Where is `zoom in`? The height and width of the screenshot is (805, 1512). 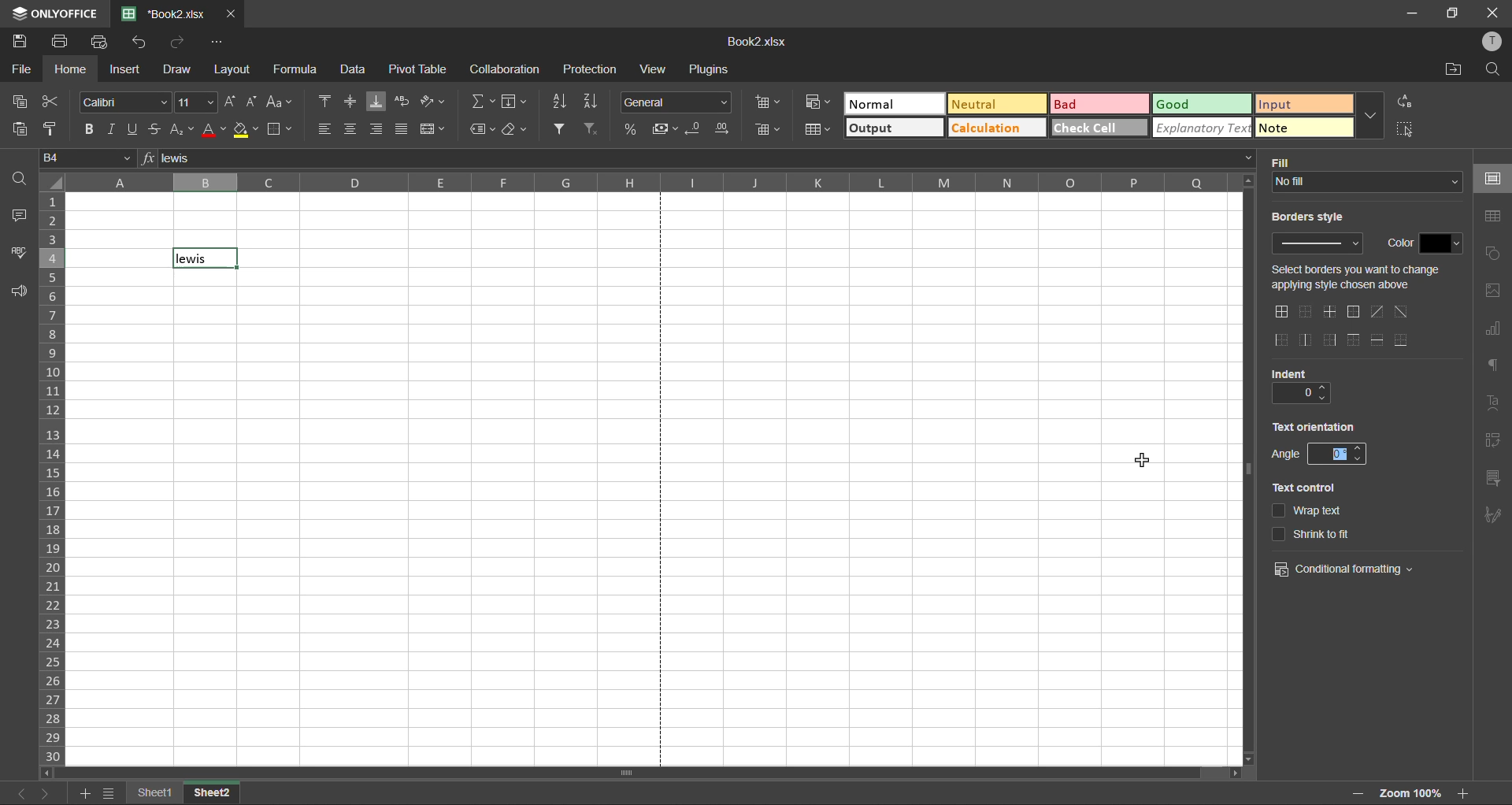
zoom in is located at coordinates (1467, 792).